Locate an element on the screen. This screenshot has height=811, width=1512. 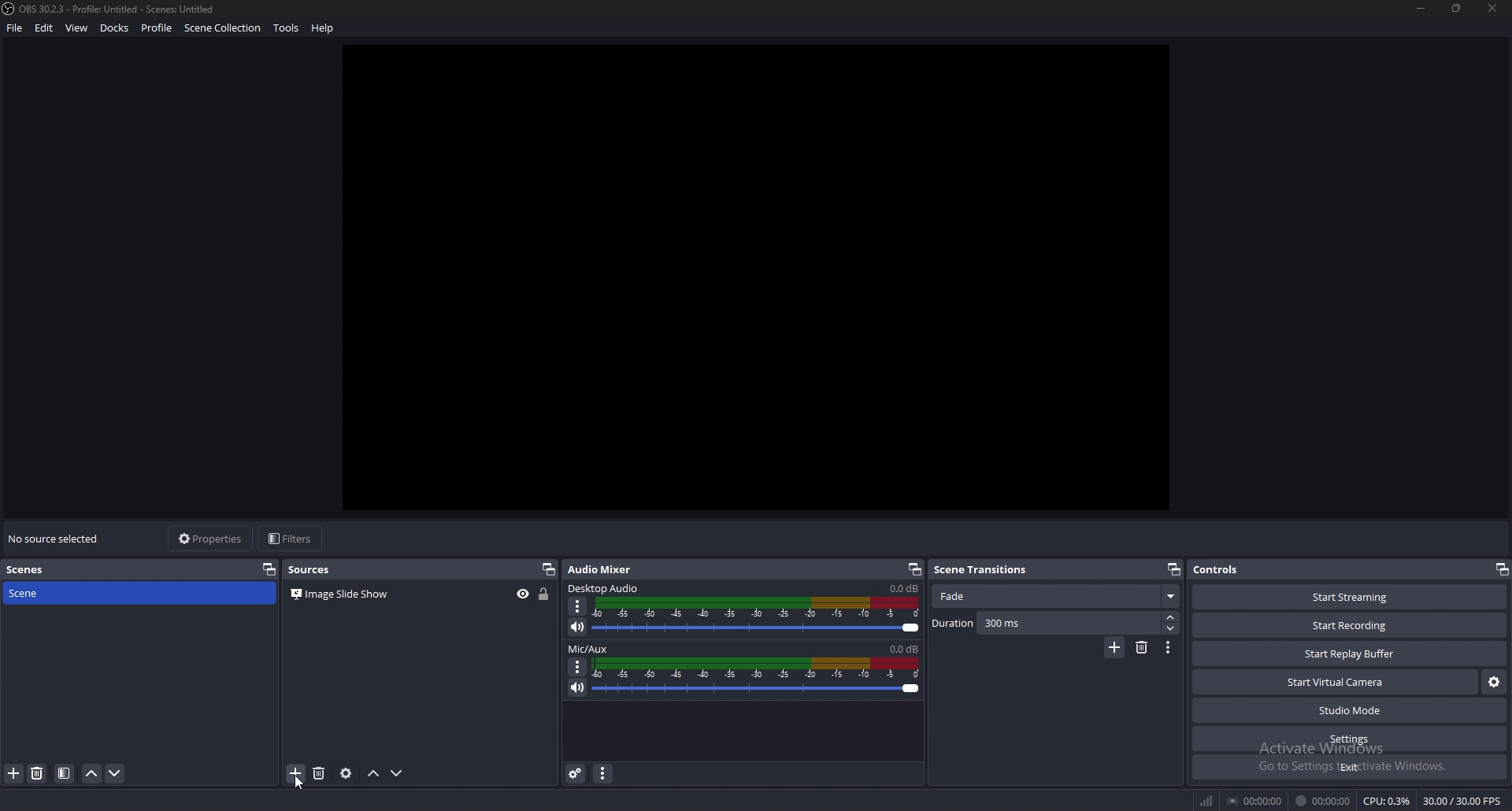
help is located at coordinates (324, 28).